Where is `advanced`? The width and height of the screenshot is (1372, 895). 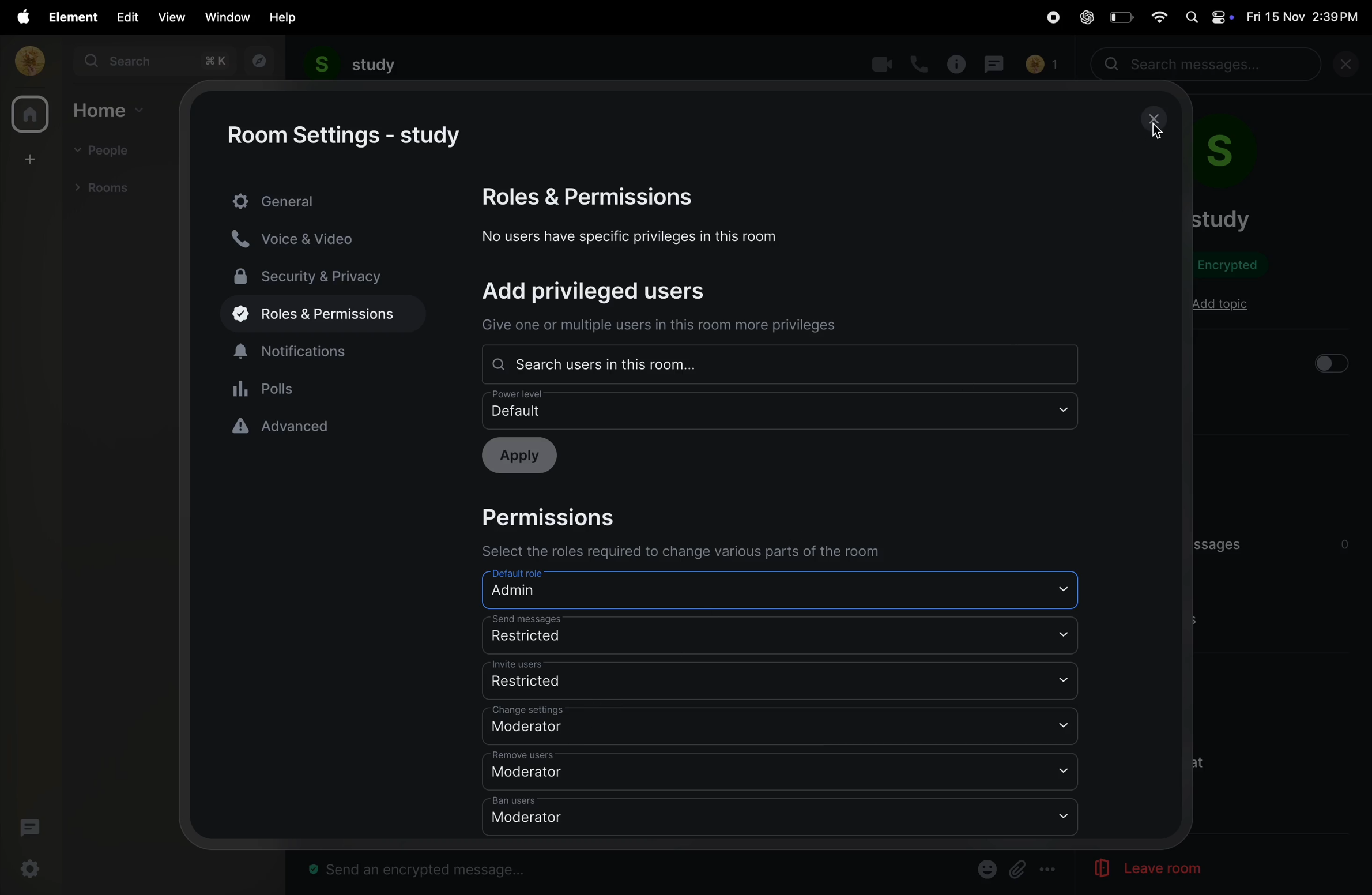
advanced is located at coordinates (323, 426).